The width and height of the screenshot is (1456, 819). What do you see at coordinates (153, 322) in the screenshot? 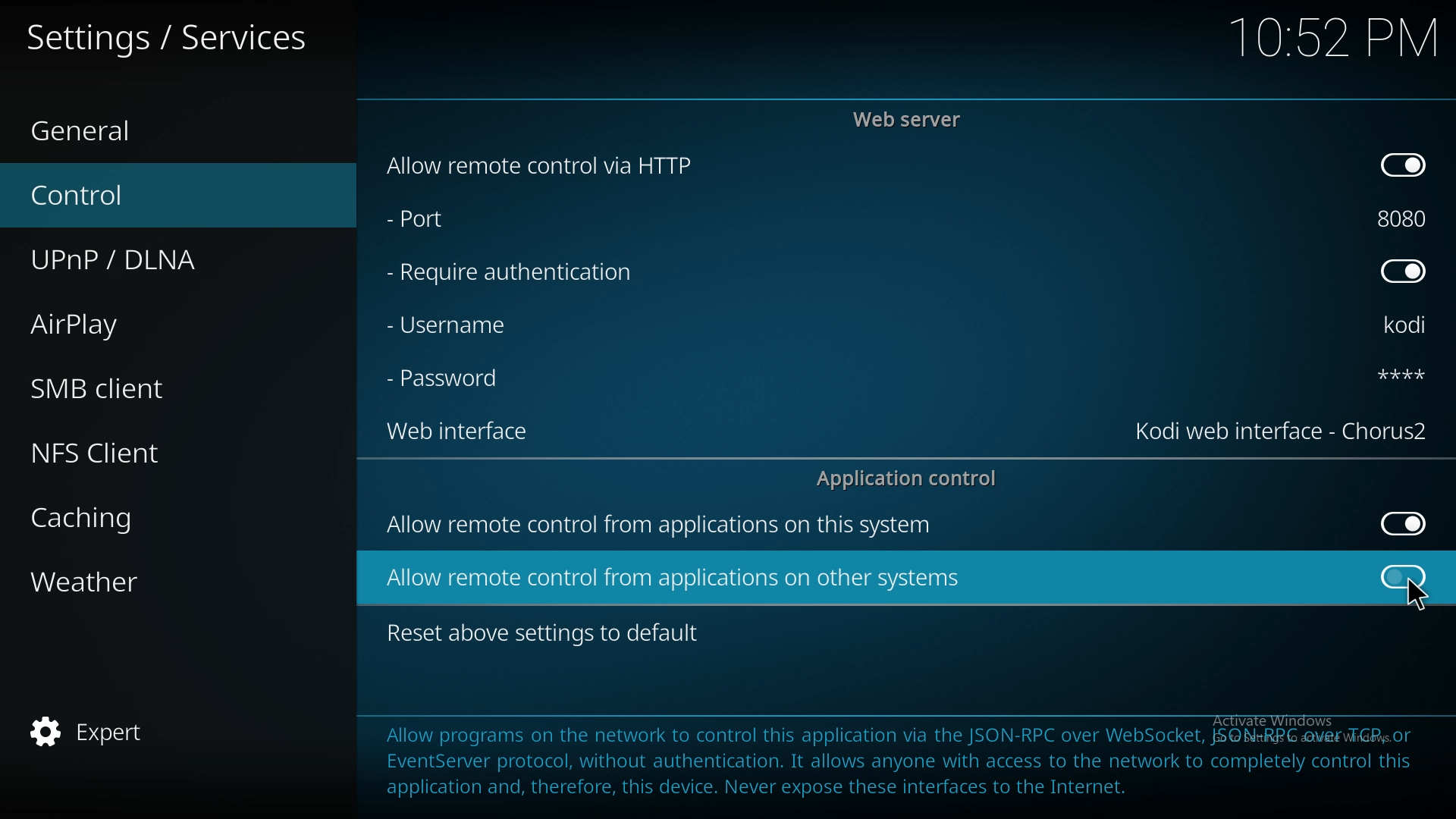
I see `airplay` at bounding box center [153, 322].